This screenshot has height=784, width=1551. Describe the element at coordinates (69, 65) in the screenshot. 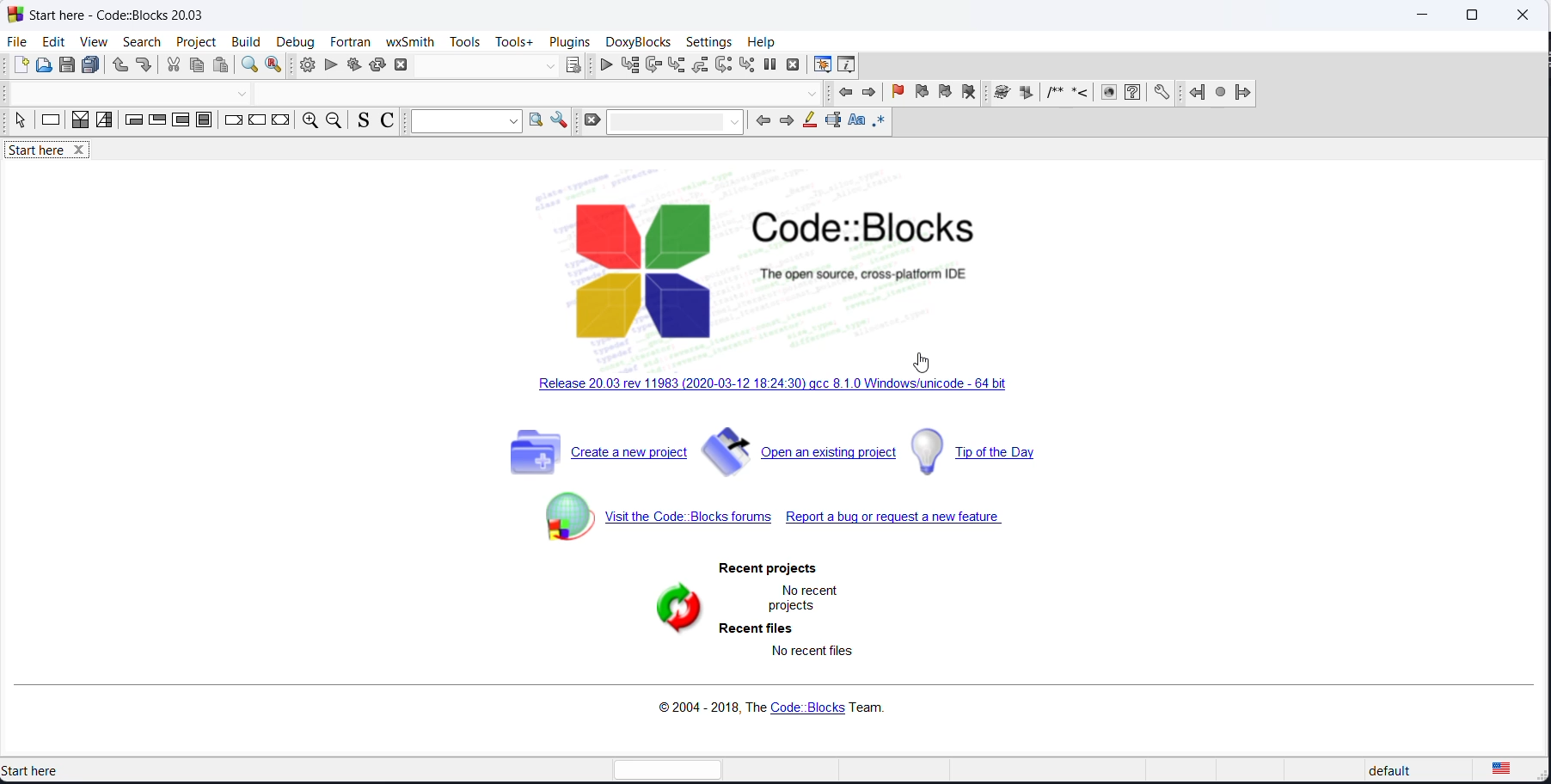

I see `save ` at that location.